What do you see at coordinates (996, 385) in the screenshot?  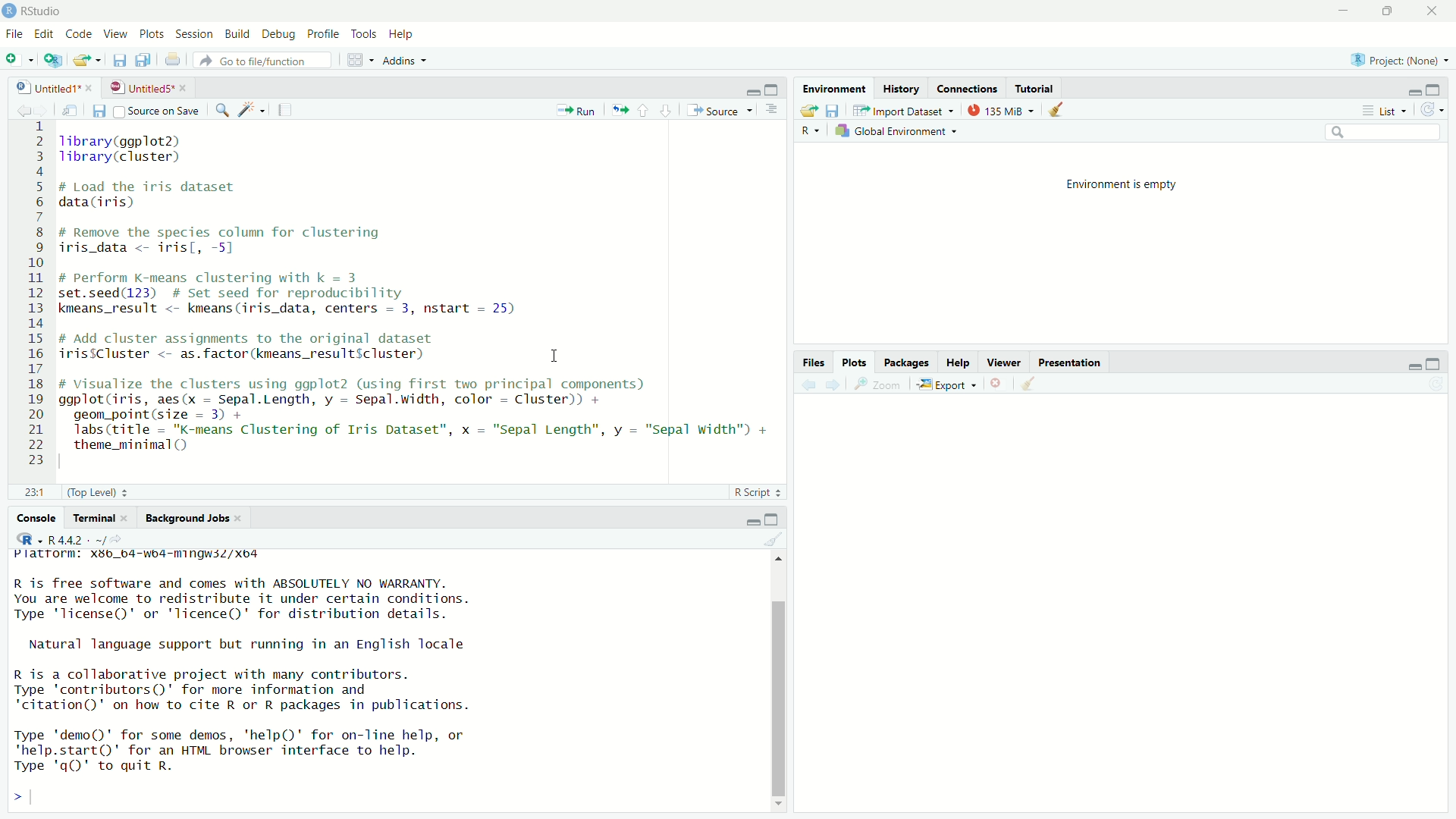 I see `remove the current plot` at bounding box center [996, 385].